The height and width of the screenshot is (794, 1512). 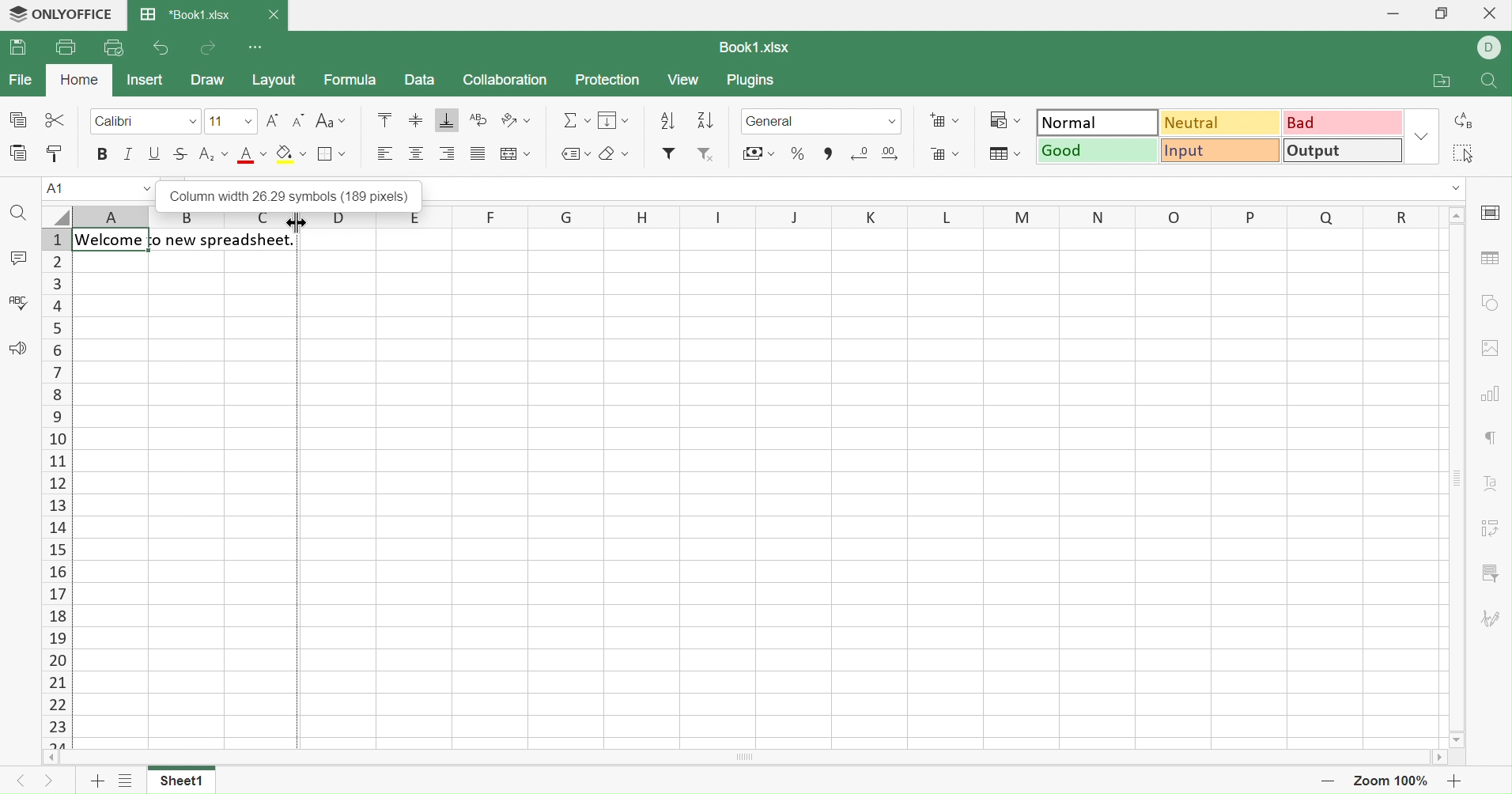 What do you see at coordinates (1458, 738) in the screenshot?
I see `Scroll Down` at bounding box center [1458, 738].